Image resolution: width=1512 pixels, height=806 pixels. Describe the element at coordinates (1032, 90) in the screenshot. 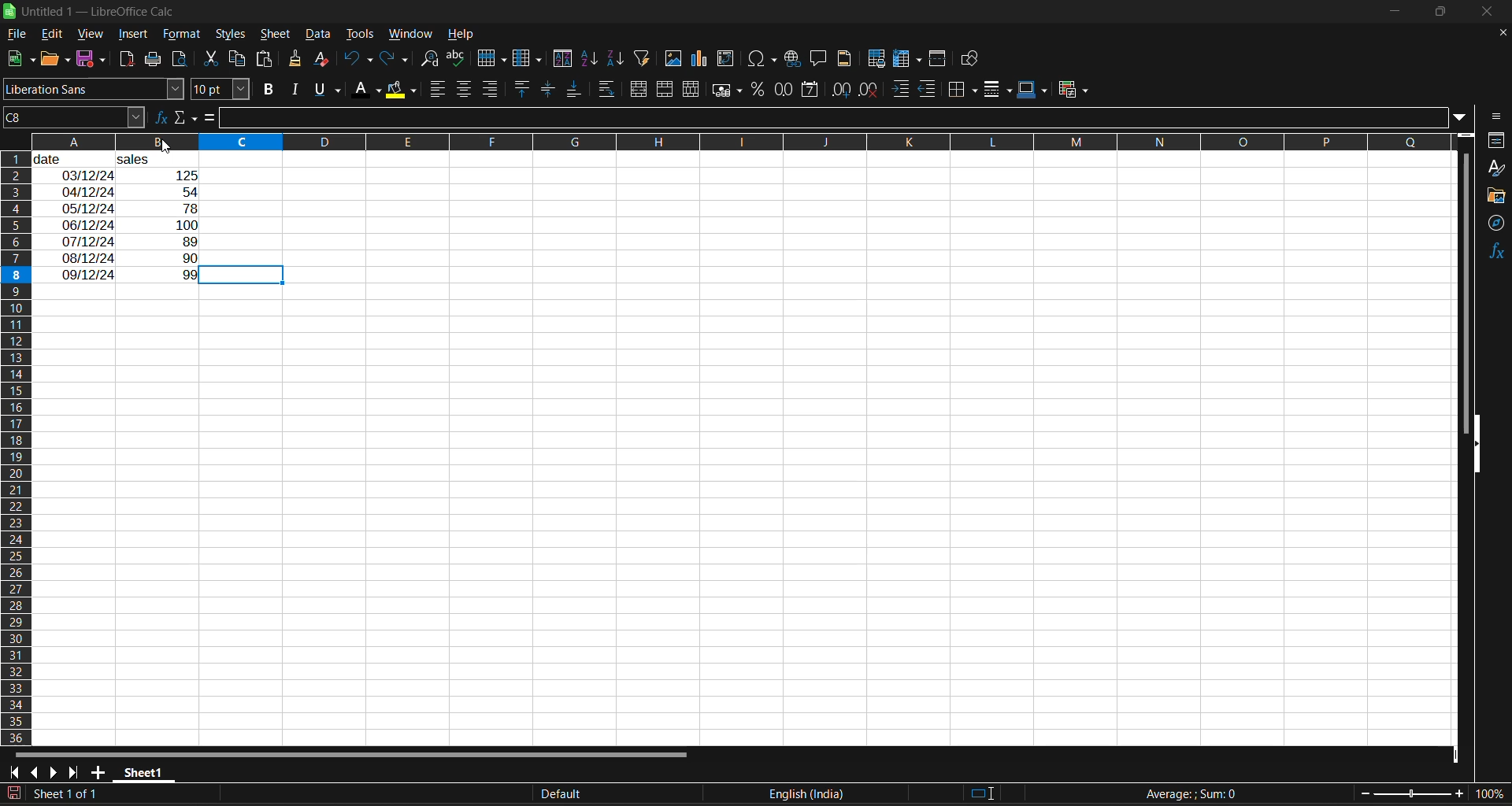

I see `border color` at that location.